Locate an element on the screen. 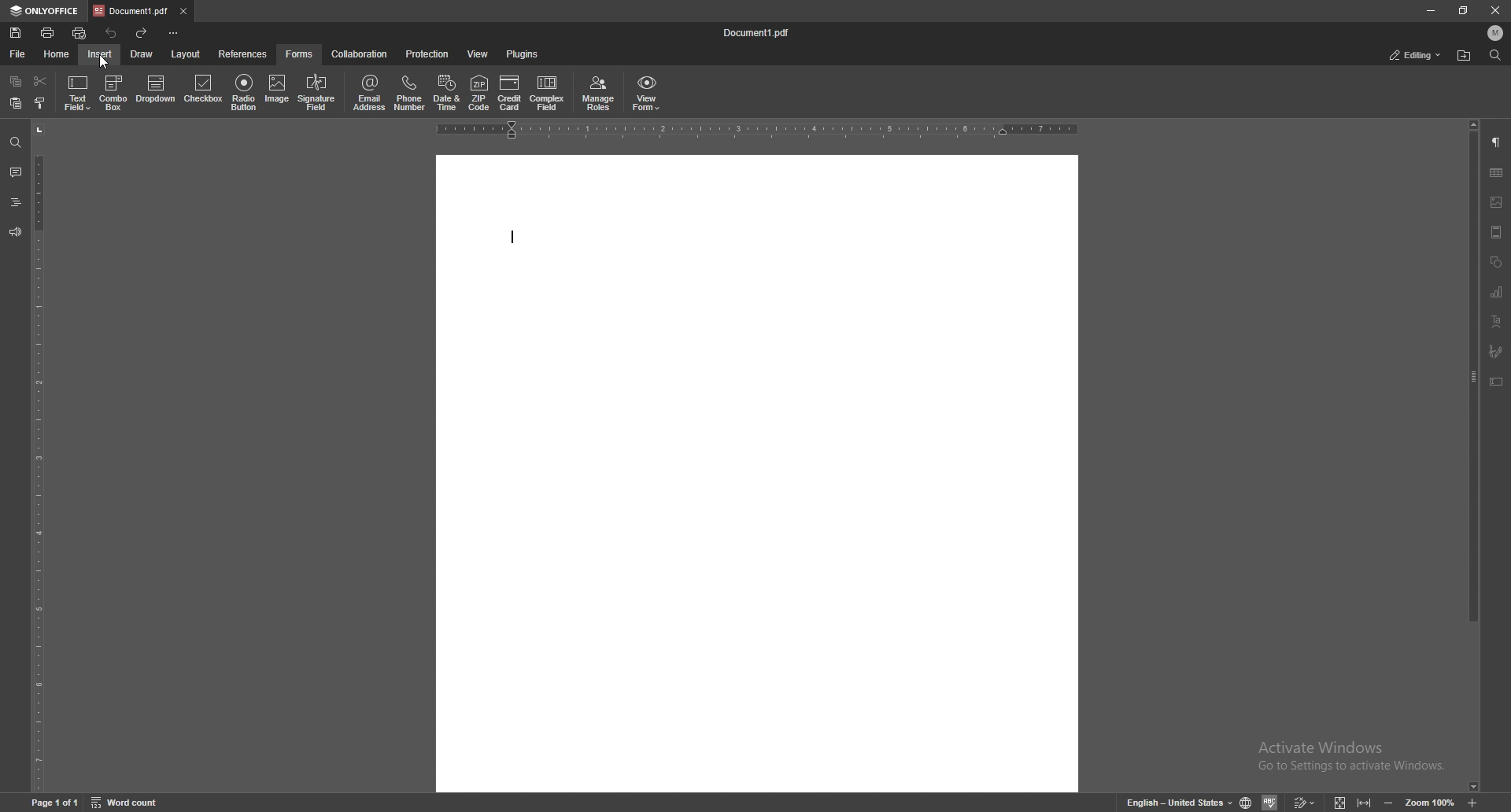 The width and height of the screenshot is (1511, 812). heading is located at coordinates (15, 203).